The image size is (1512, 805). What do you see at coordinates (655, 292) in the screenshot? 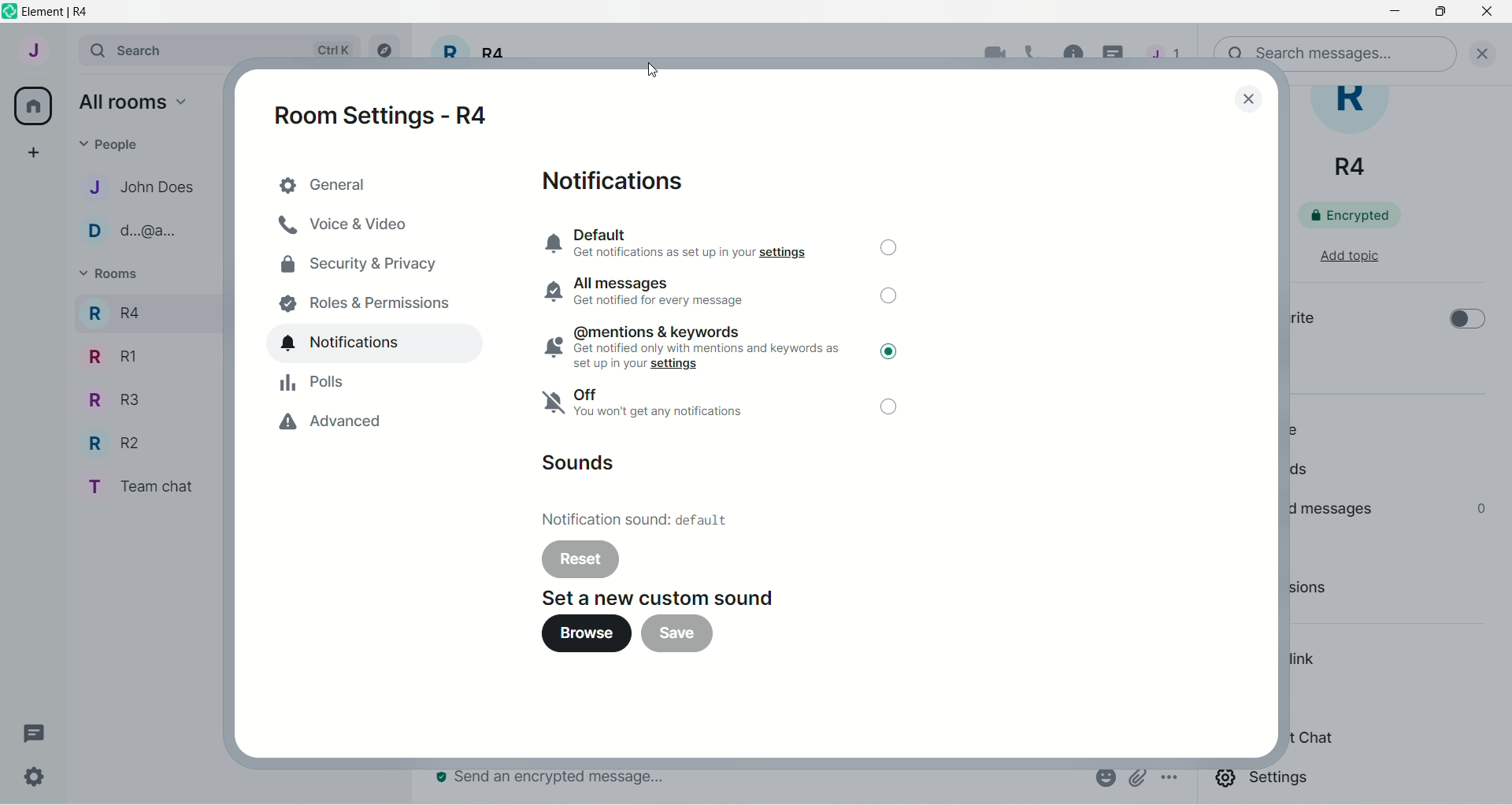
I see `fa All messages
Get notified for every message` at bounding box center [655, 292].